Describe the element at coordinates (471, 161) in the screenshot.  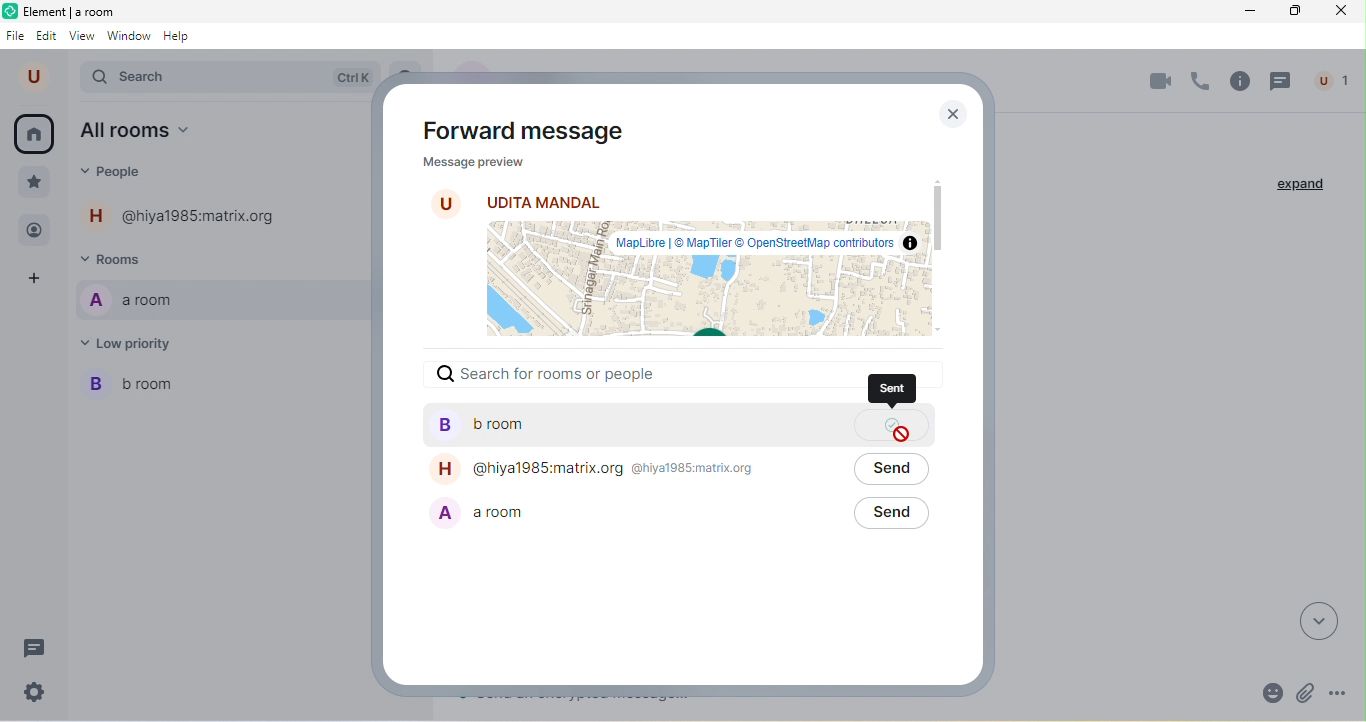
I see `Message preview` at that location.